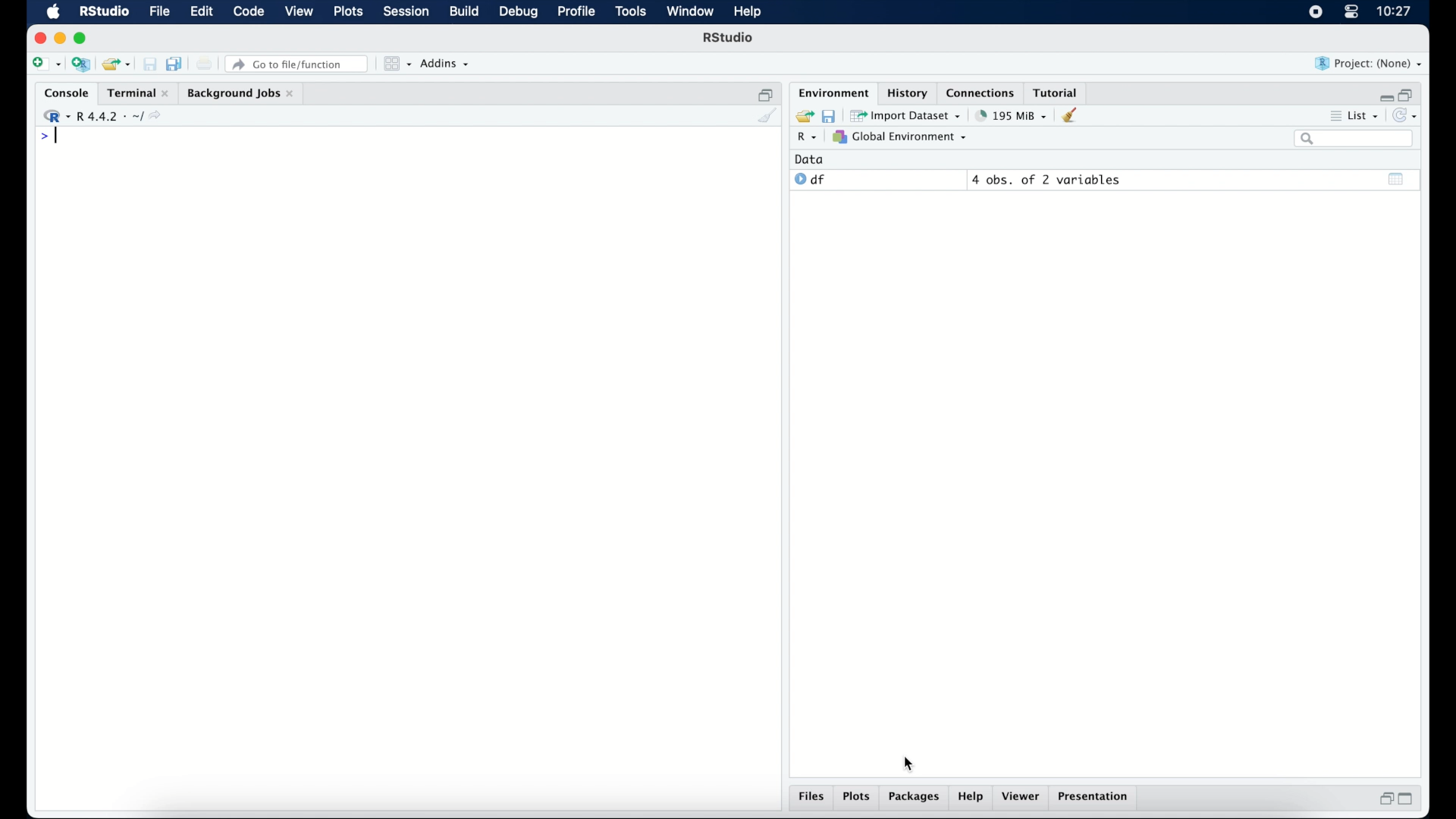  What do you see at coordinates (47, 138) in the screenshot?
I see `command prompt` at bounding box center [47, 138].